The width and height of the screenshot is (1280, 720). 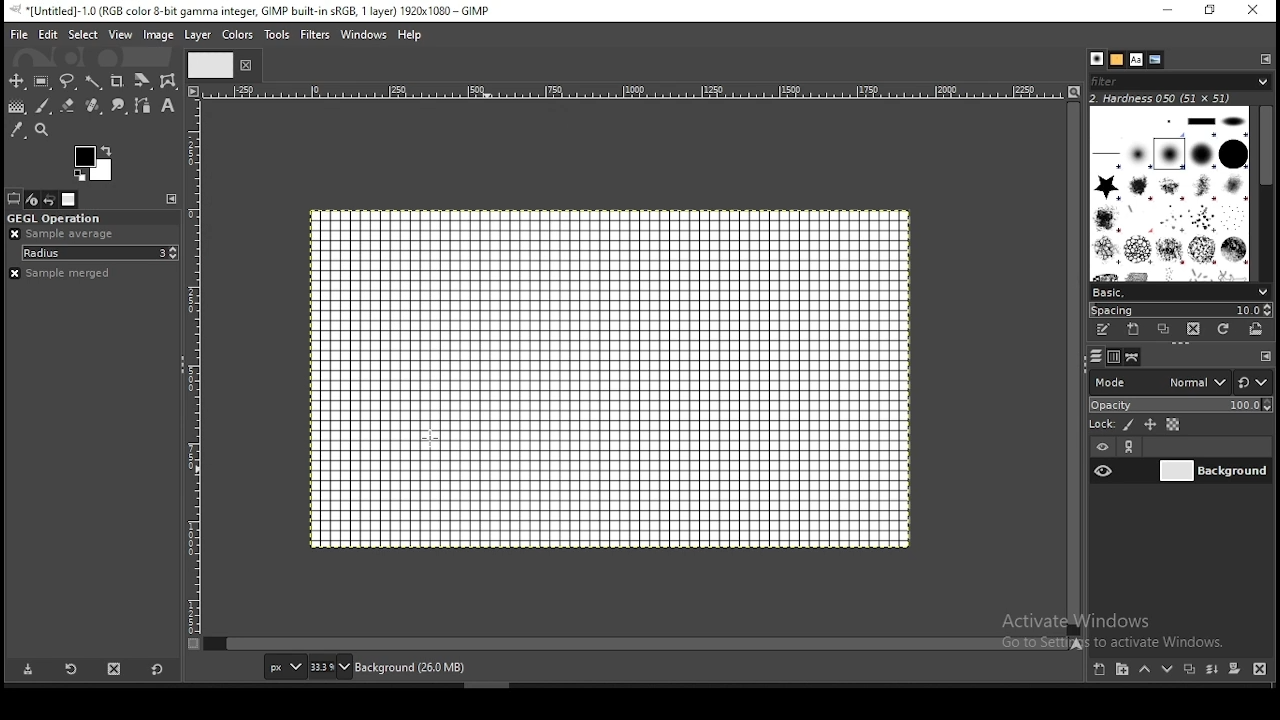 I want to click on brushes filter, so click(x=1180, y=81).